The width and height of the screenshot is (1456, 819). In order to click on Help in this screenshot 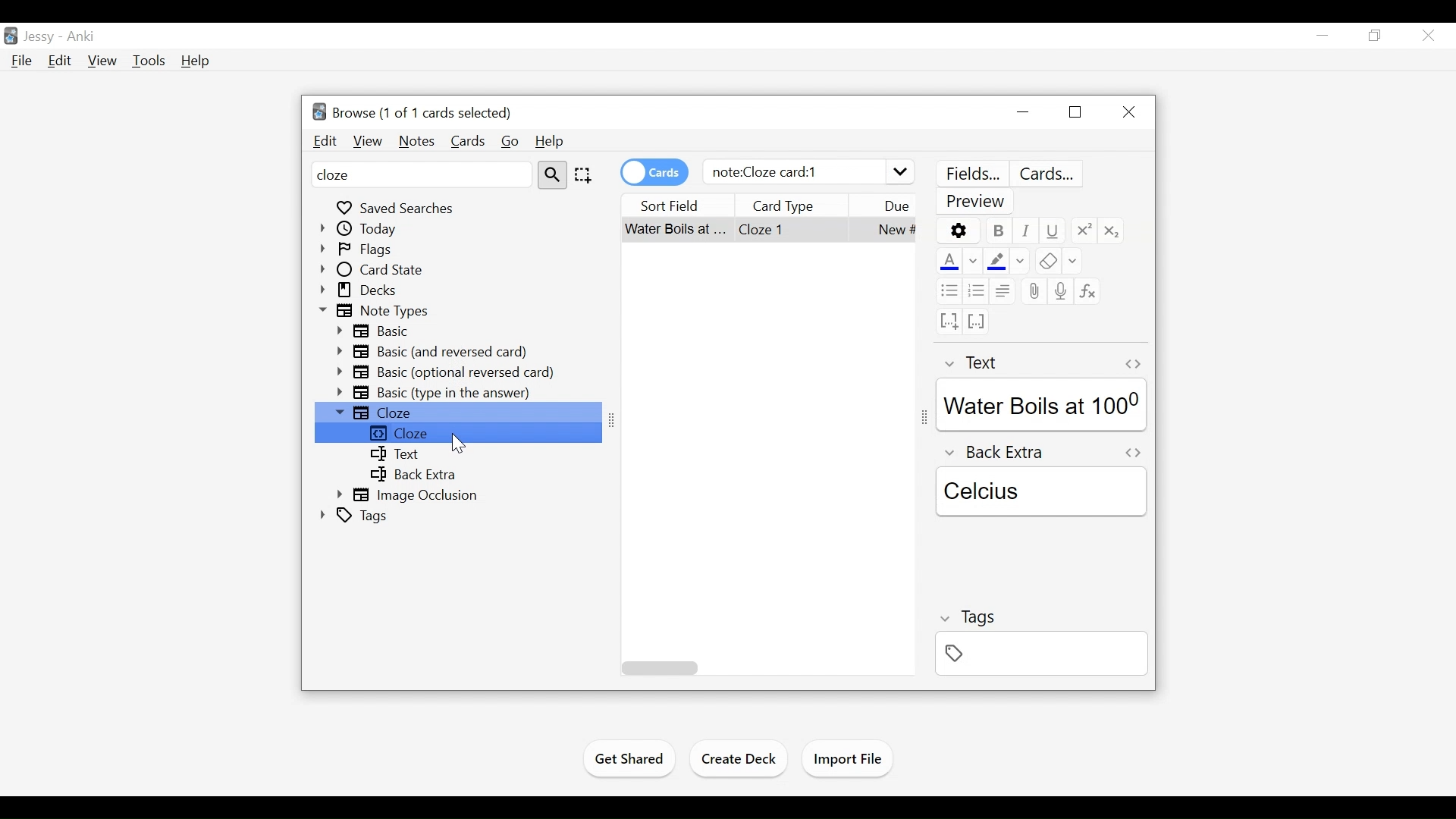, I will do `click(550, 140)`.